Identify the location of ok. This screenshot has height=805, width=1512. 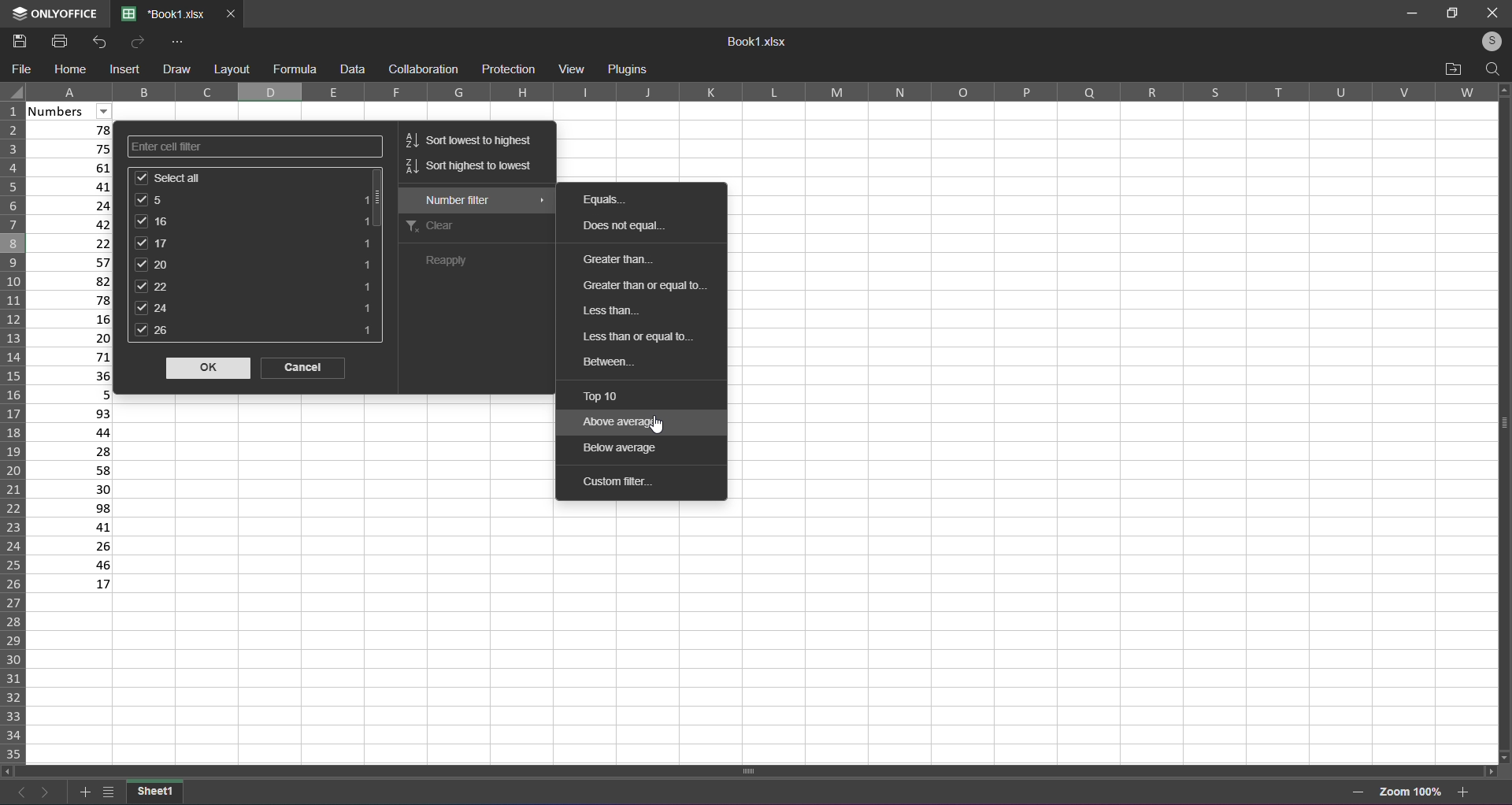
(206, 369).